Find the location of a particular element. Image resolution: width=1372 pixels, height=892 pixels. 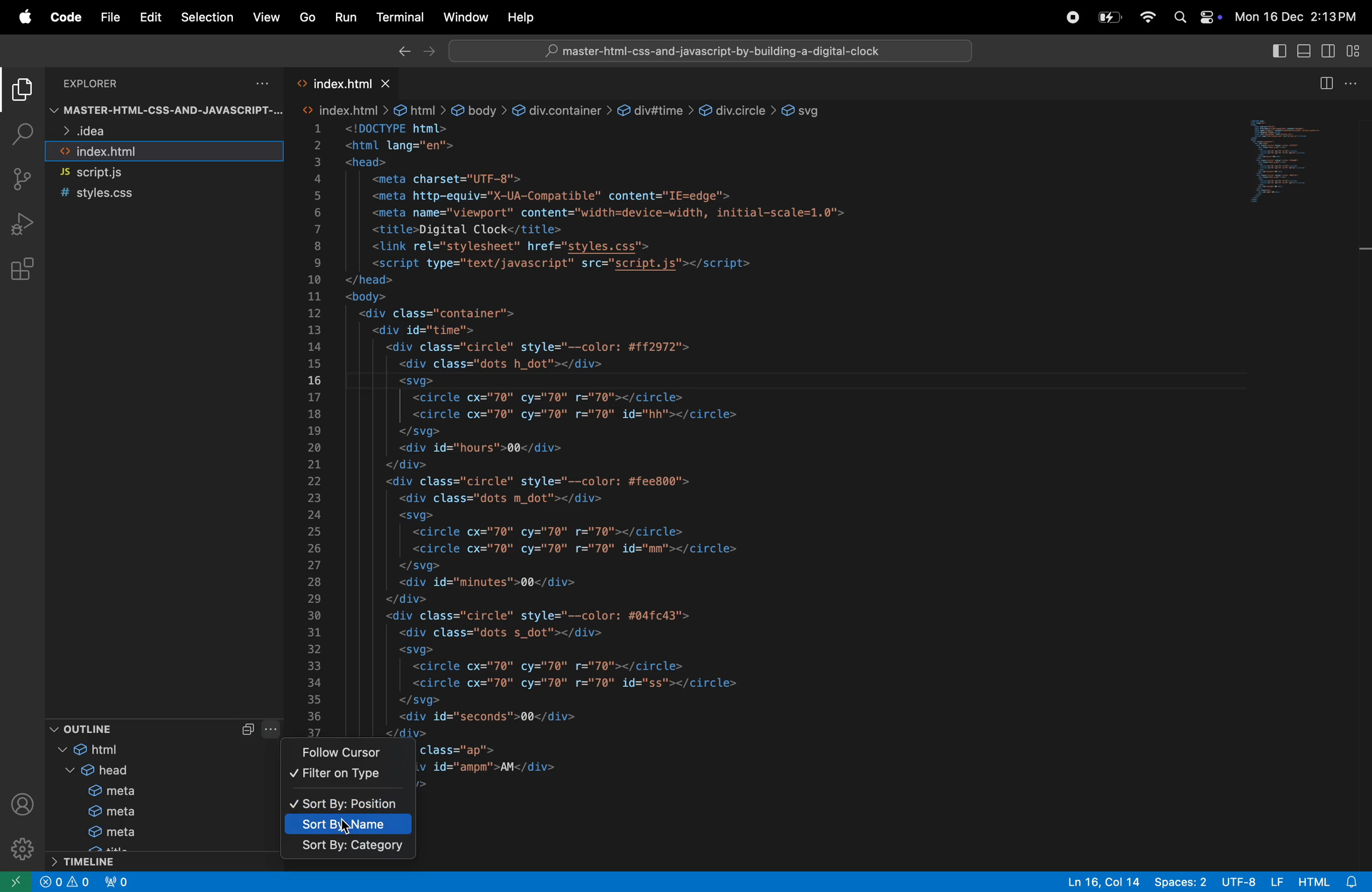

Go is located at coordinates (307, 17).